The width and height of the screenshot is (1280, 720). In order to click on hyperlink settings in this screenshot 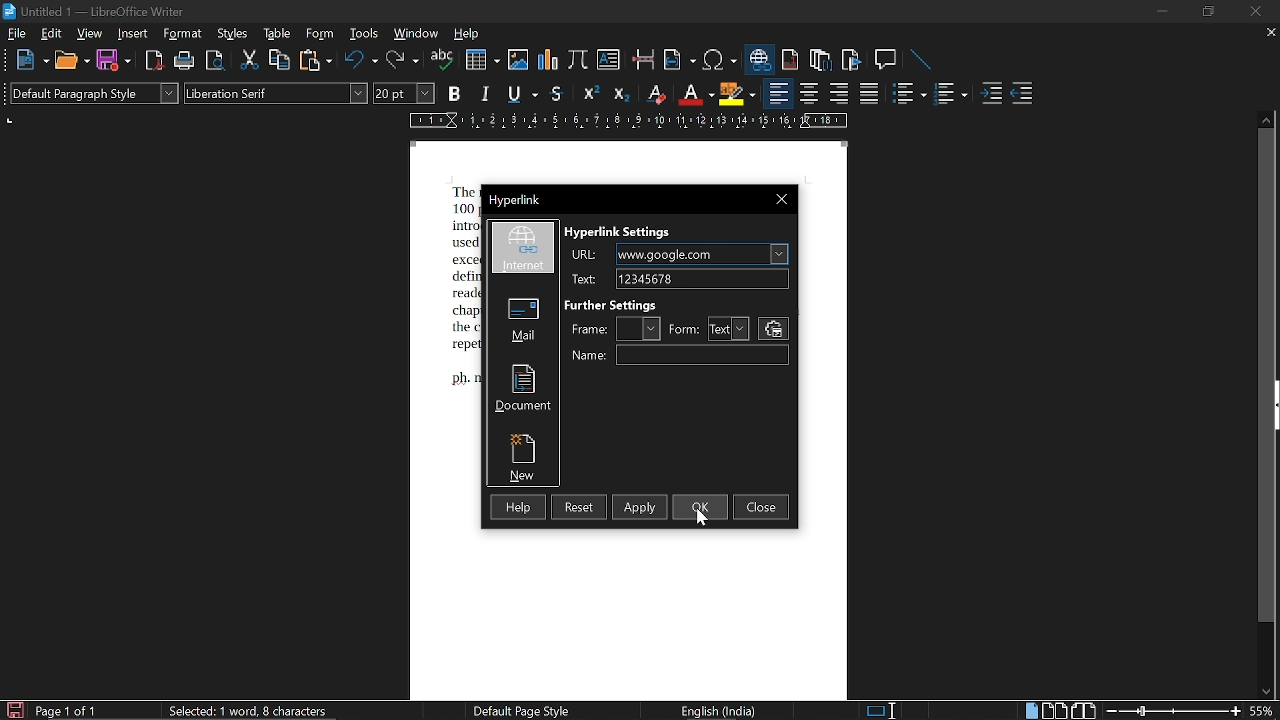, I will do `click(618, 231)`.